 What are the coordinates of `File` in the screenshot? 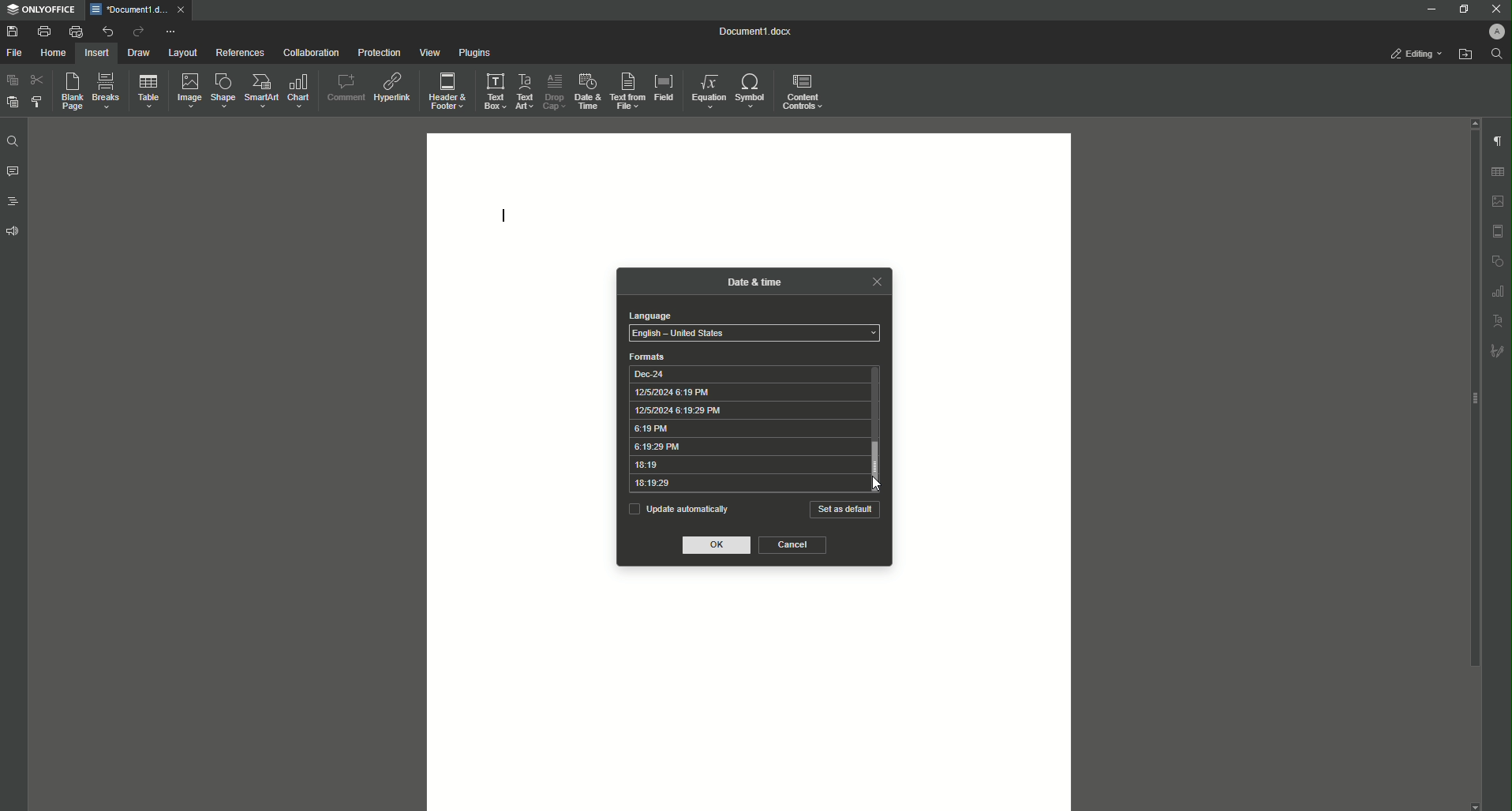 It's located at (17, 53).